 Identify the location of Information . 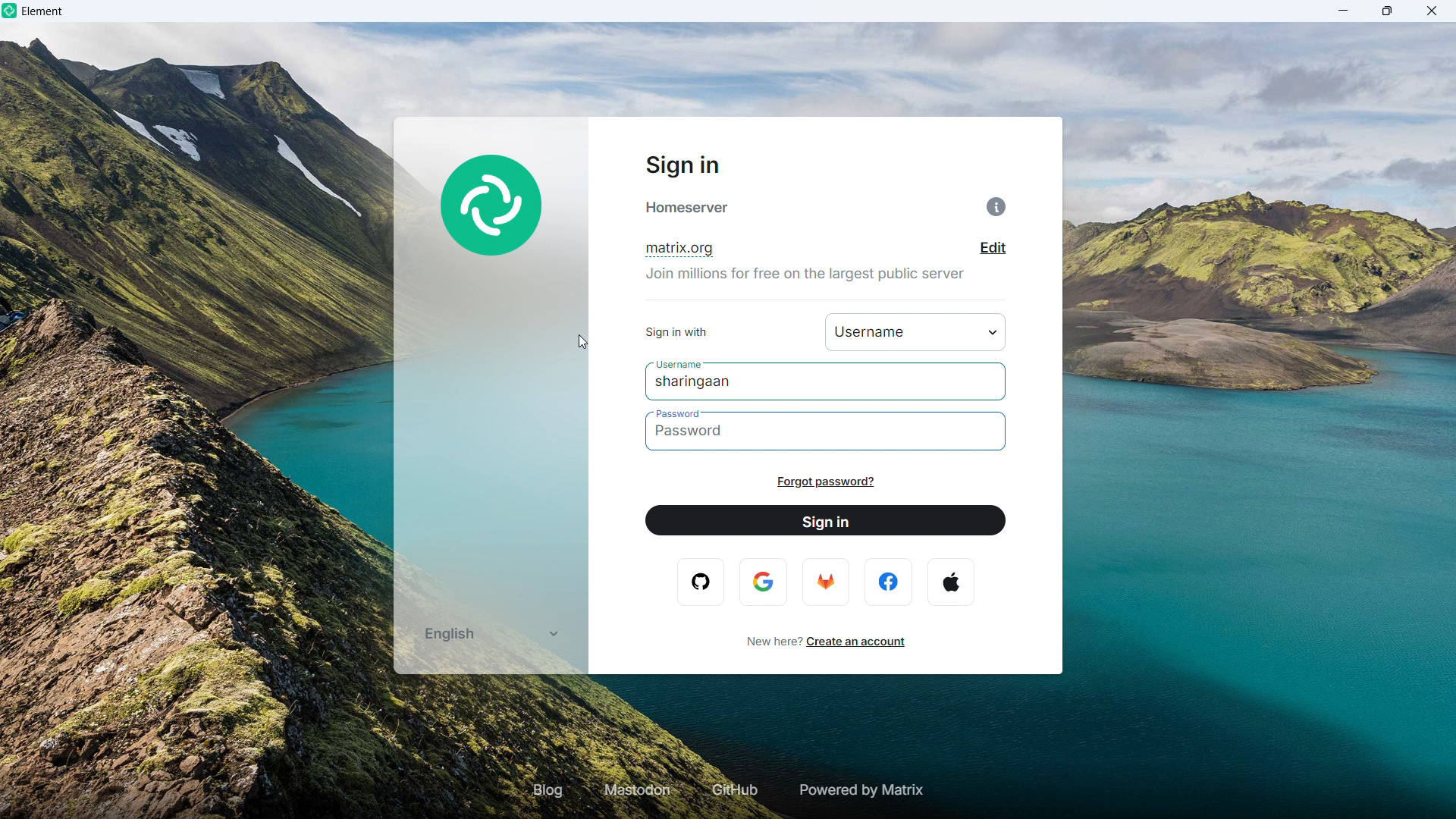
(996, 207).